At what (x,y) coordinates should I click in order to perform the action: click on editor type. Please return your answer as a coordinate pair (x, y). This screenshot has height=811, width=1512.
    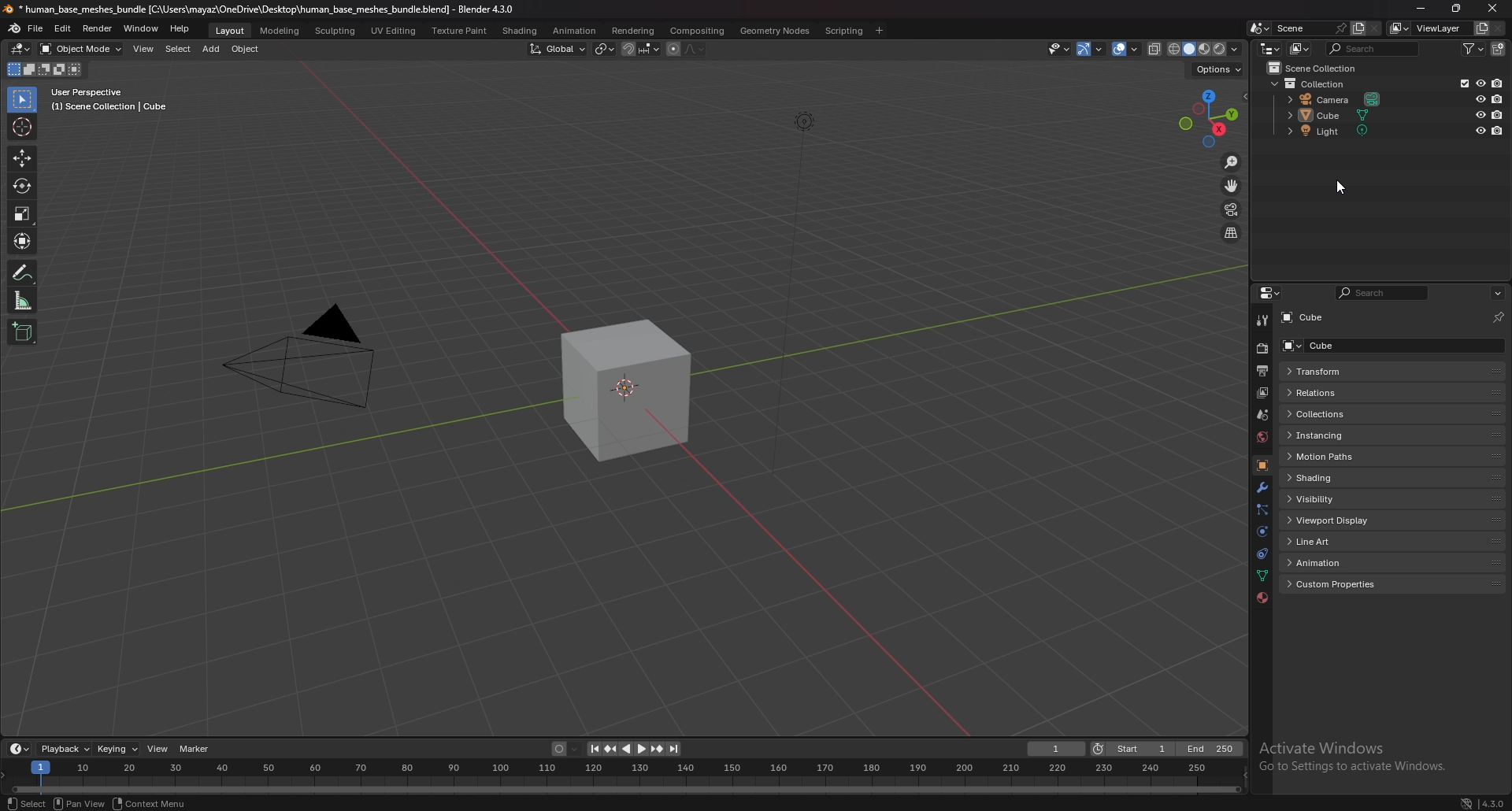
    Looking at the image, I should click on (1272, 293).